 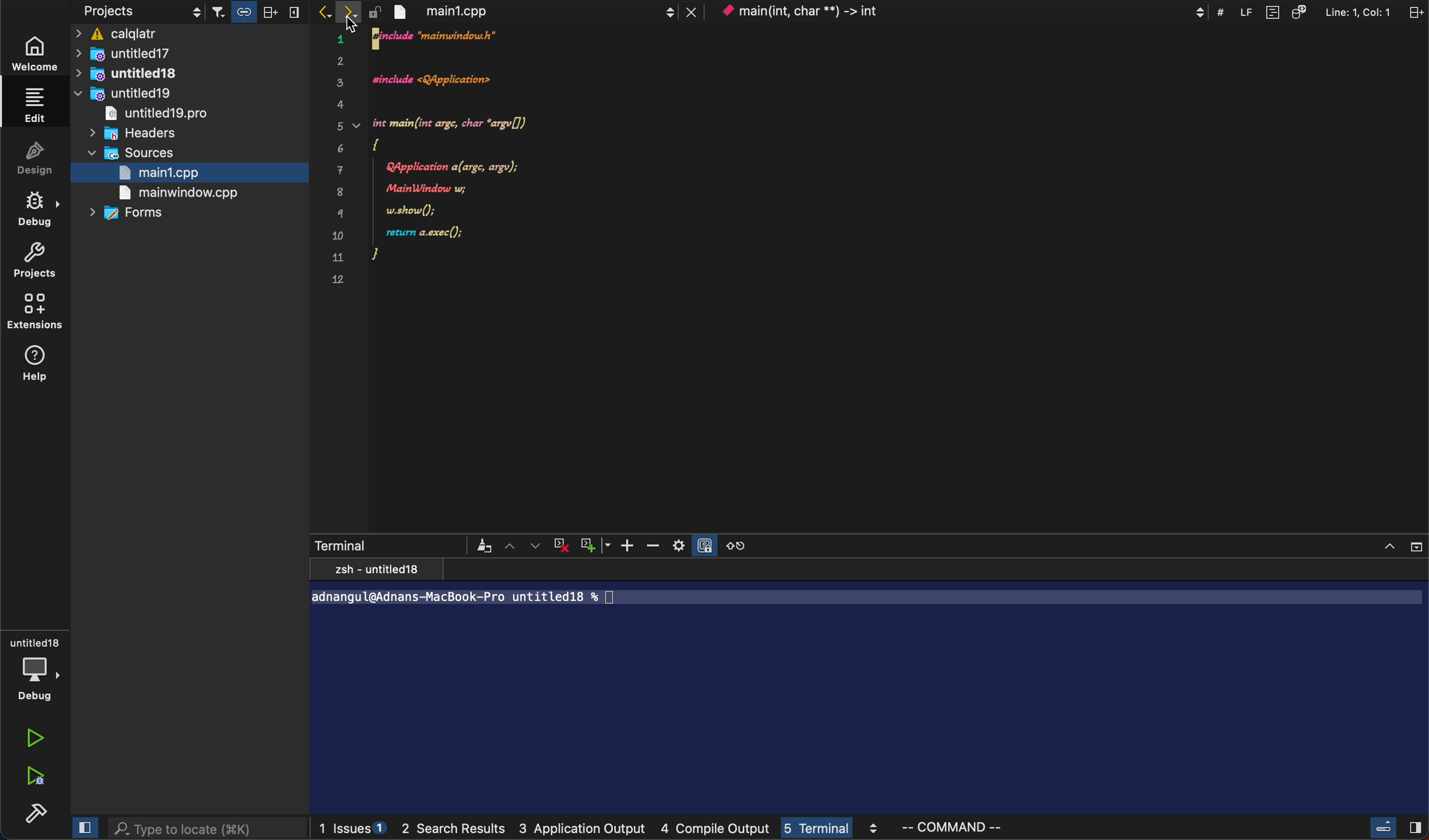 I want to click on arrows, so click(x=333, y=11).